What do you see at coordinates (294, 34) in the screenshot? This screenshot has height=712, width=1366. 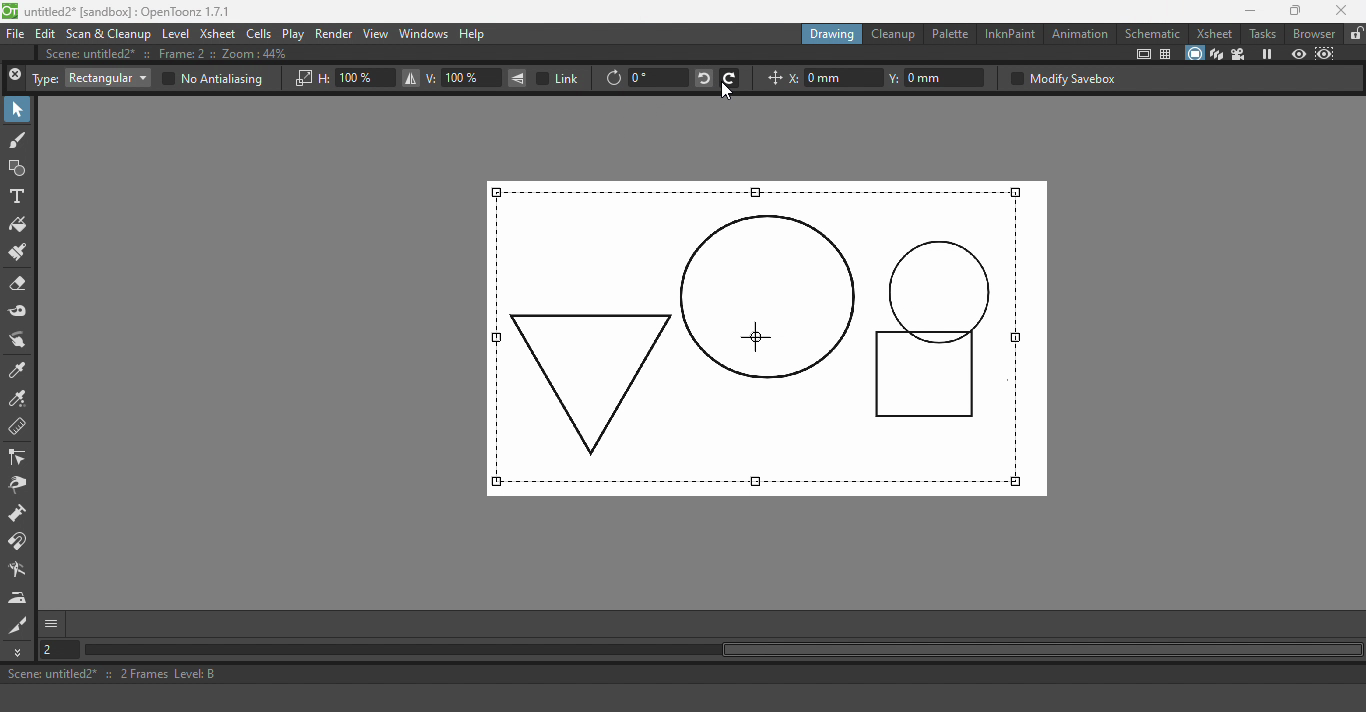 I see `Play` at bounding box center [294, 34].